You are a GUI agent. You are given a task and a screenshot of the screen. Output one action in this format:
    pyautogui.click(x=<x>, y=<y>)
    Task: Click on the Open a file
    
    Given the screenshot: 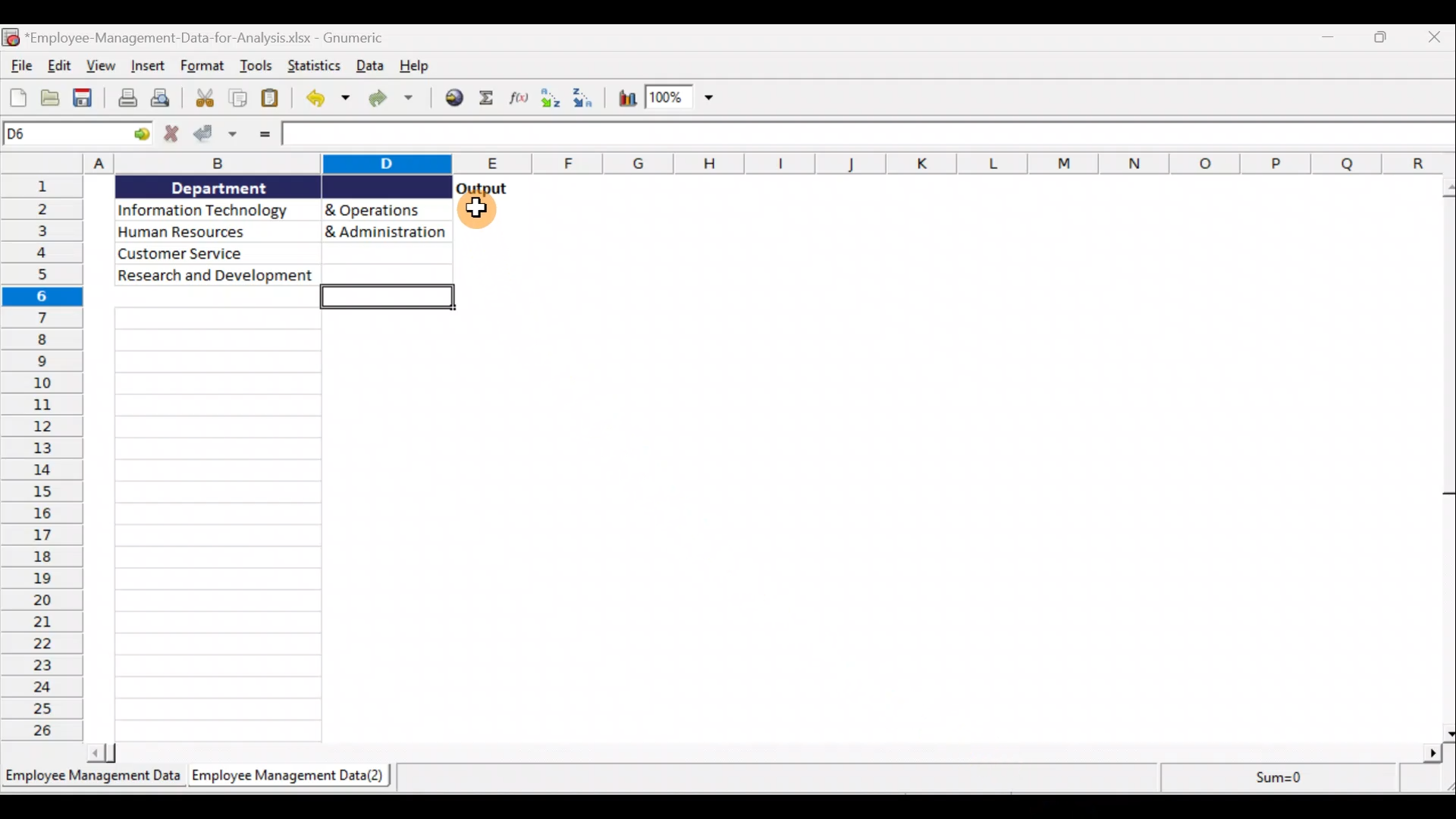 What is the action you would take?
    pyautogui.click(x=52, y=97)
    